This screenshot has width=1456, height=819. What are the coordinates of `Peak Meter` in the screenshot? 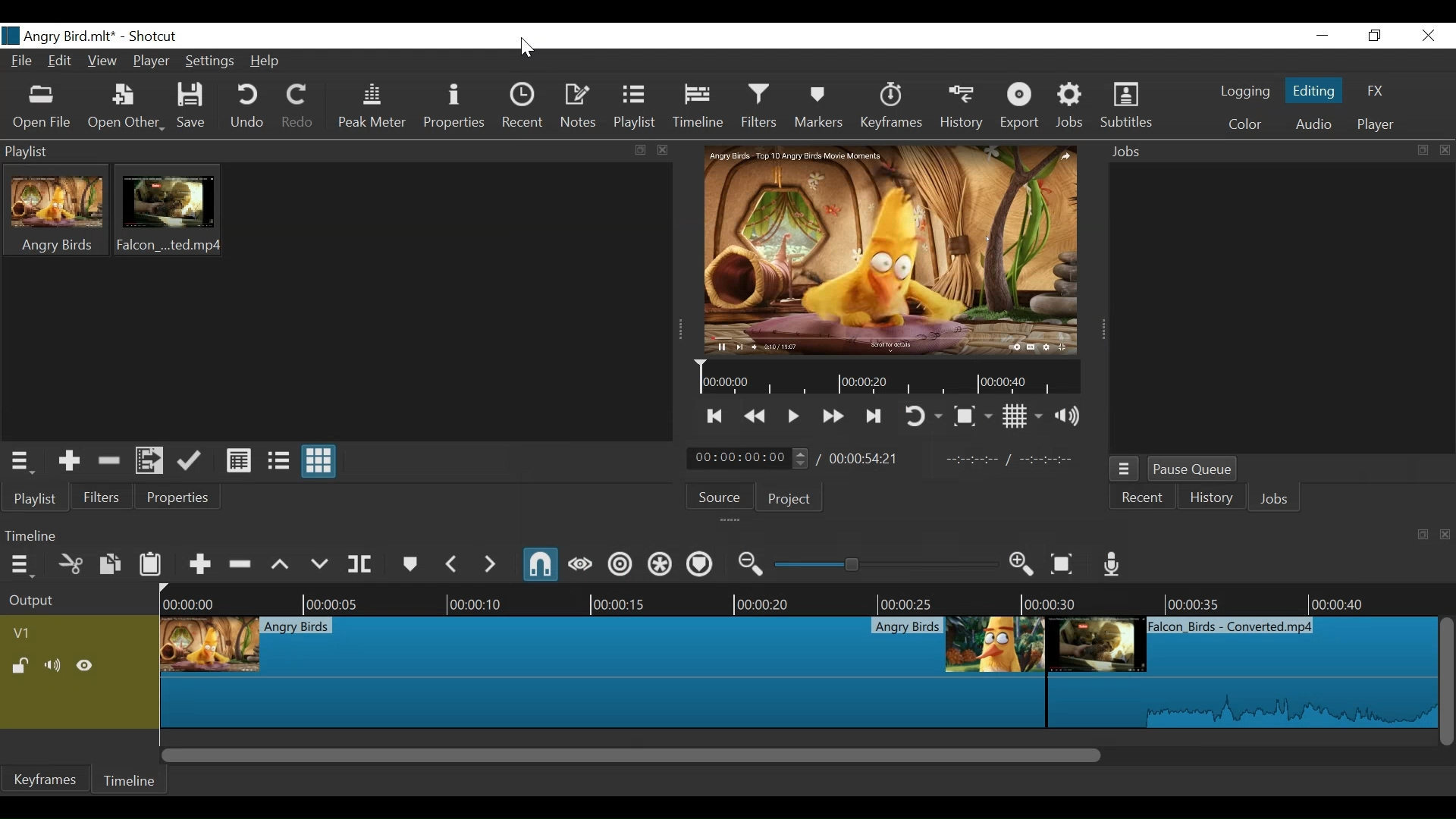 It's located at (370, 108).